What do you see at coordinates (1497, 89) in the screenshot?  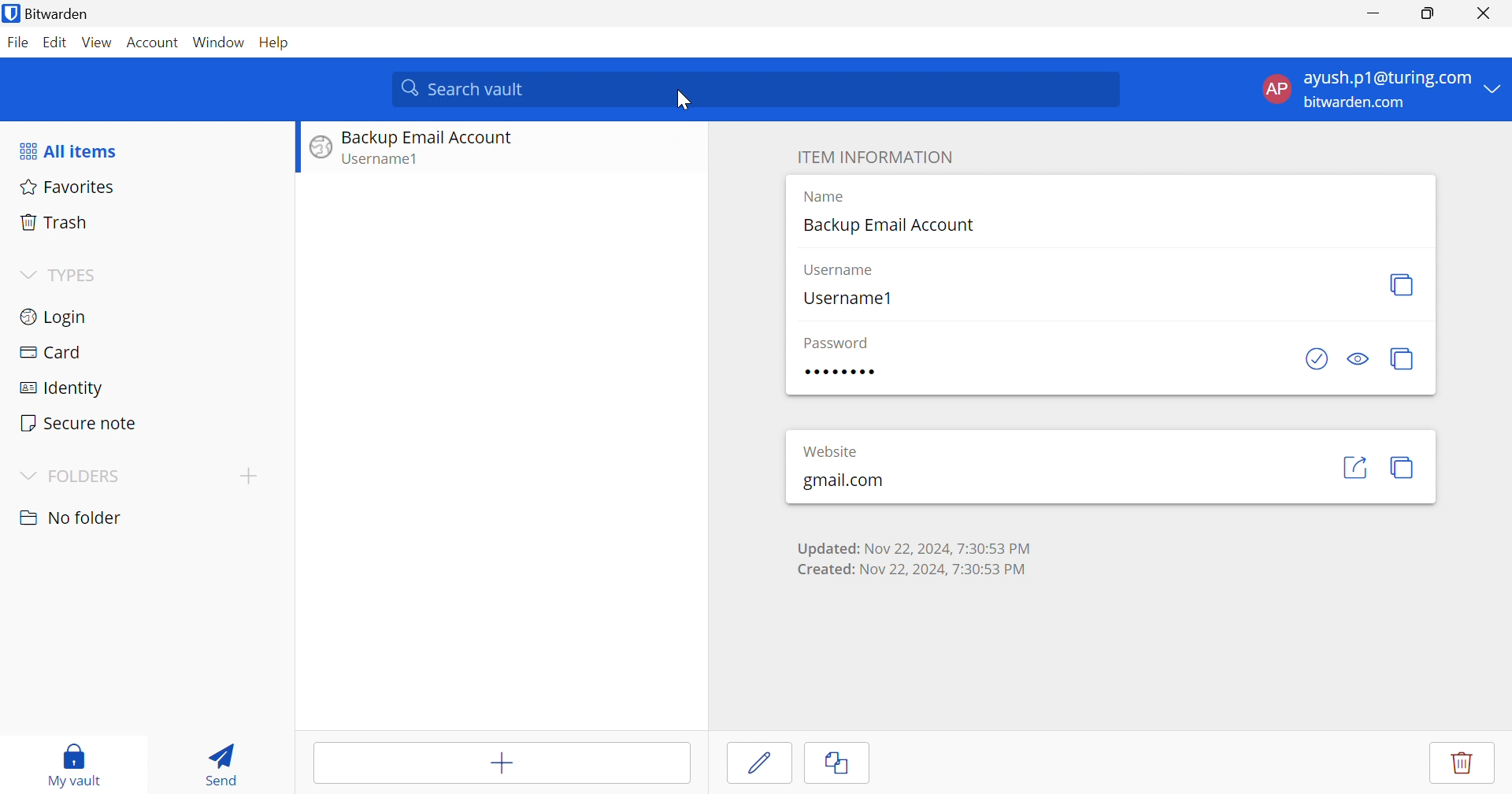 I see `Drop Down` at bounding box center [1497, 89].